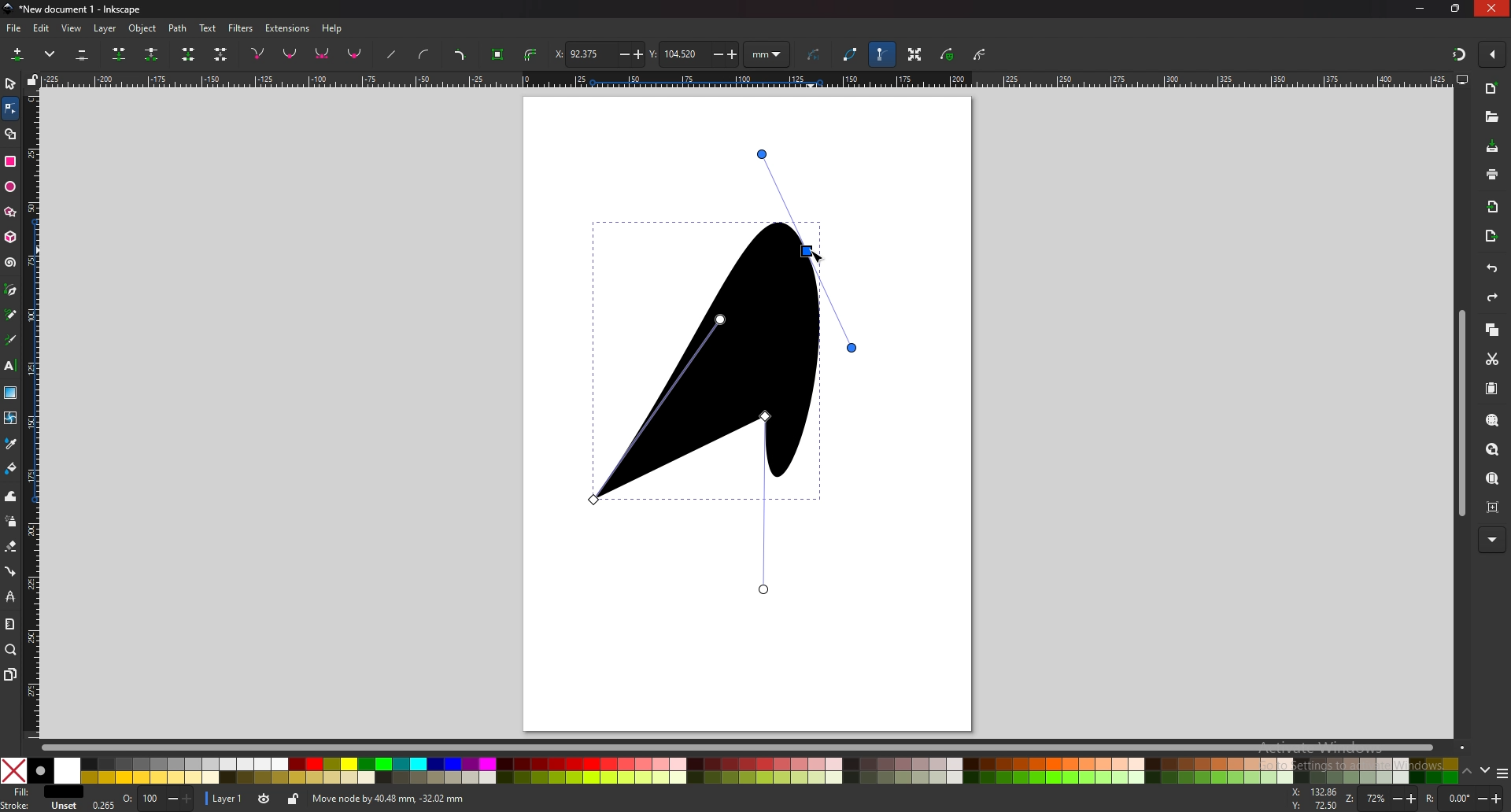  What do you see at coordinates (11, 185) in the screenshot?
I see `ellipse` at bounding box center [11, 185].